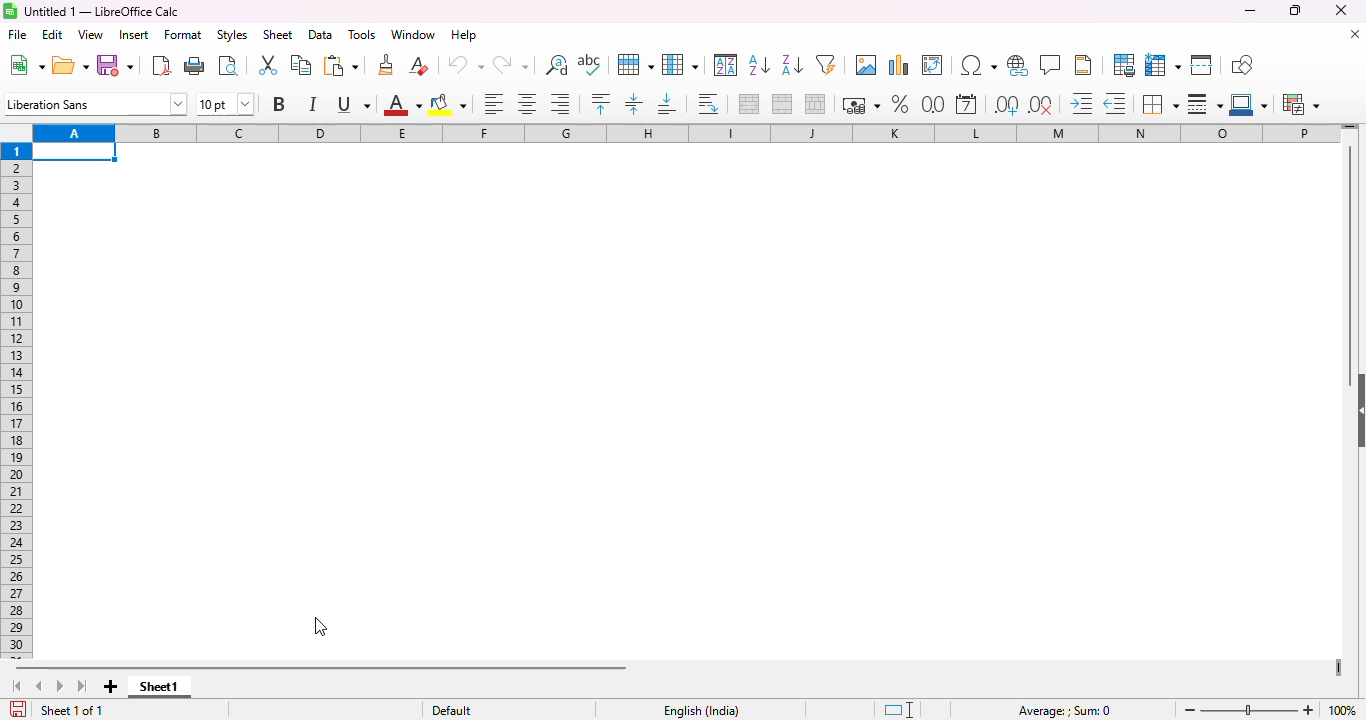 The height and width of the screenshot is (720, 1366). Describe the element at coordinates (1249, 104) in the screenshot. I see `border color` at that location.